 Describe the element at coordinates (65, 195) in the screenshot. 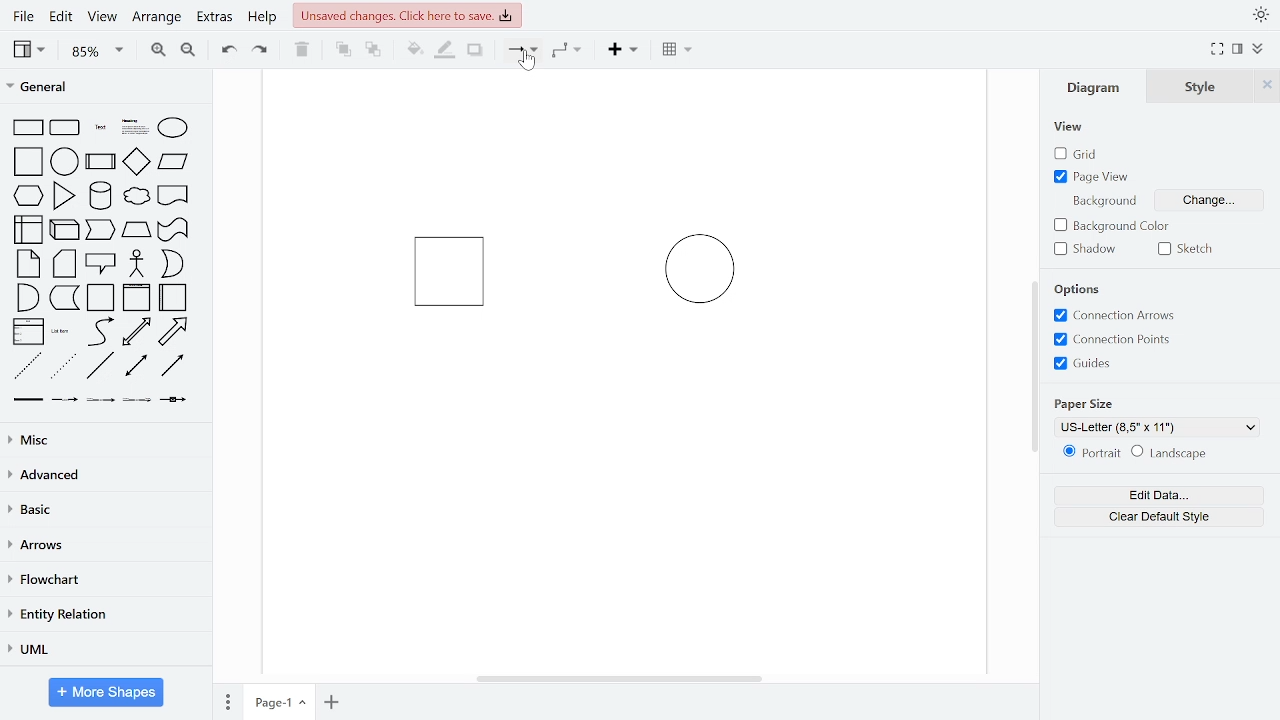

I see `triangle` at that location.